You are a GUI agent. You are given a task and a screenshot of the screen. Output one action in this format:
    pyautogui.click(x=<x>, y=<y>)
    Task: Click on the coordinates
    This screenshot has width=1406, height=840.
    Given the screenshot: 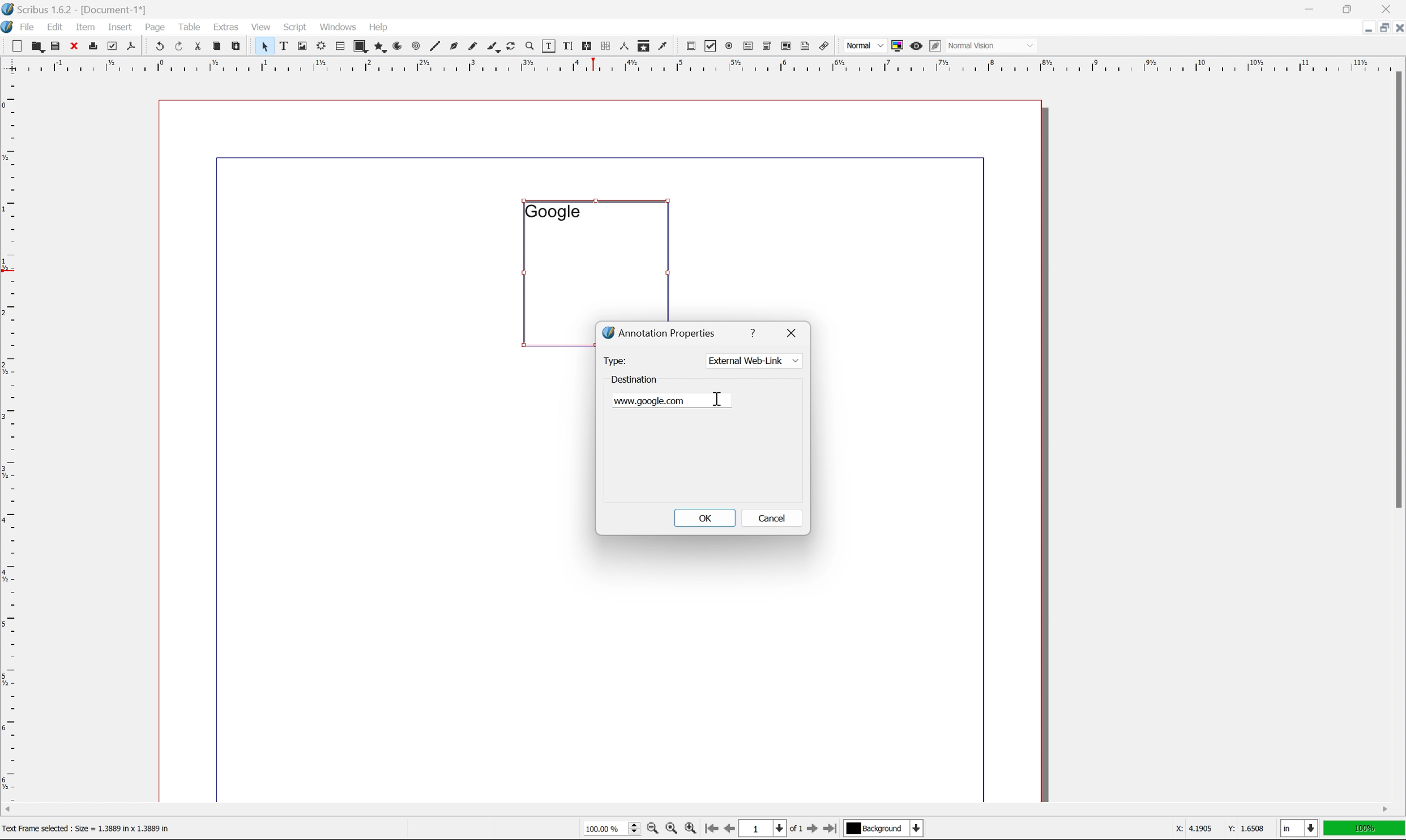 What is the action you would take?
    pyautogui.click(x=1212, y=829)
    